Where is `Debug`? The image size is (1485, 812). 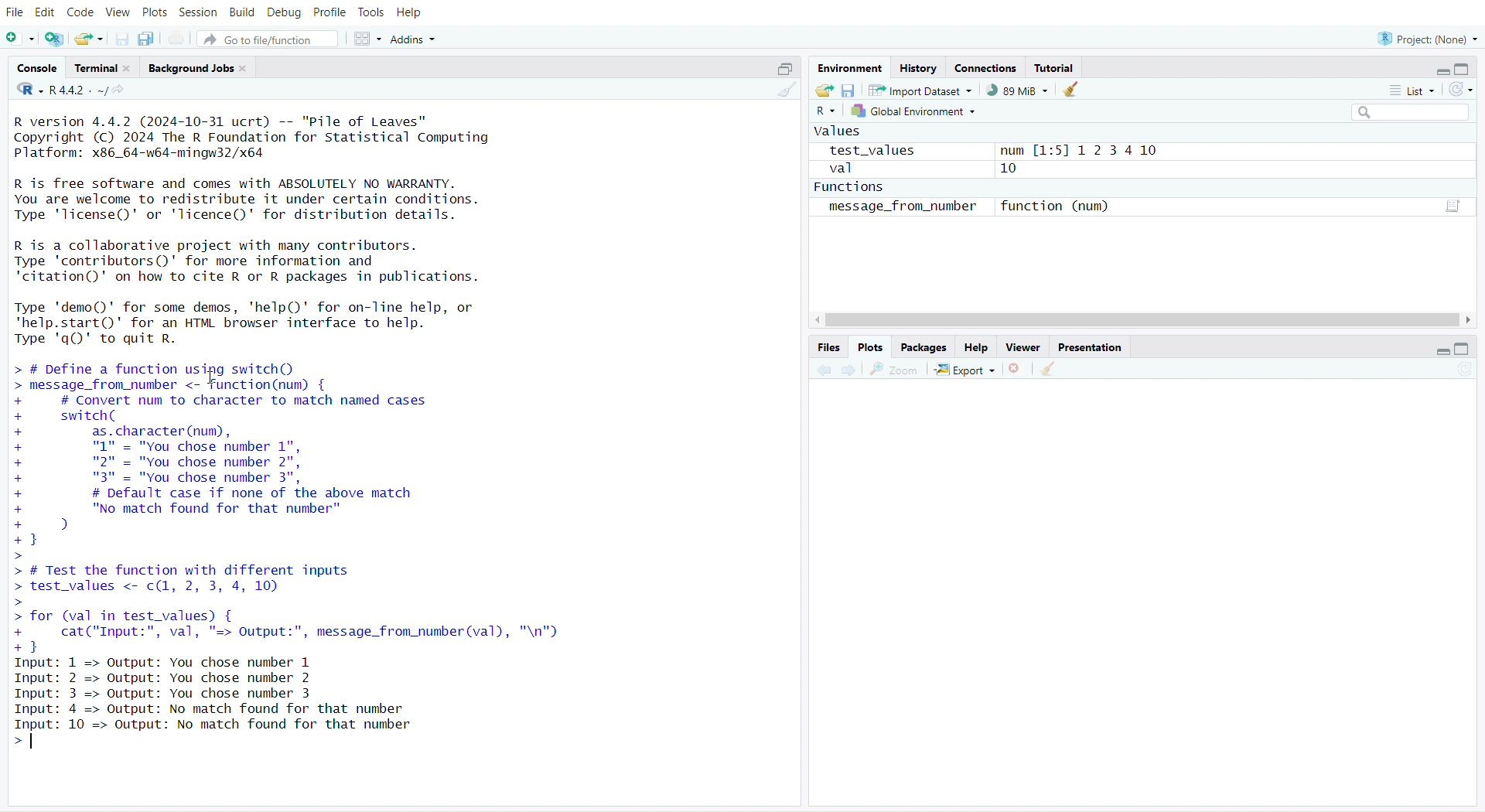
Debug is located at coordinates (284, 12).